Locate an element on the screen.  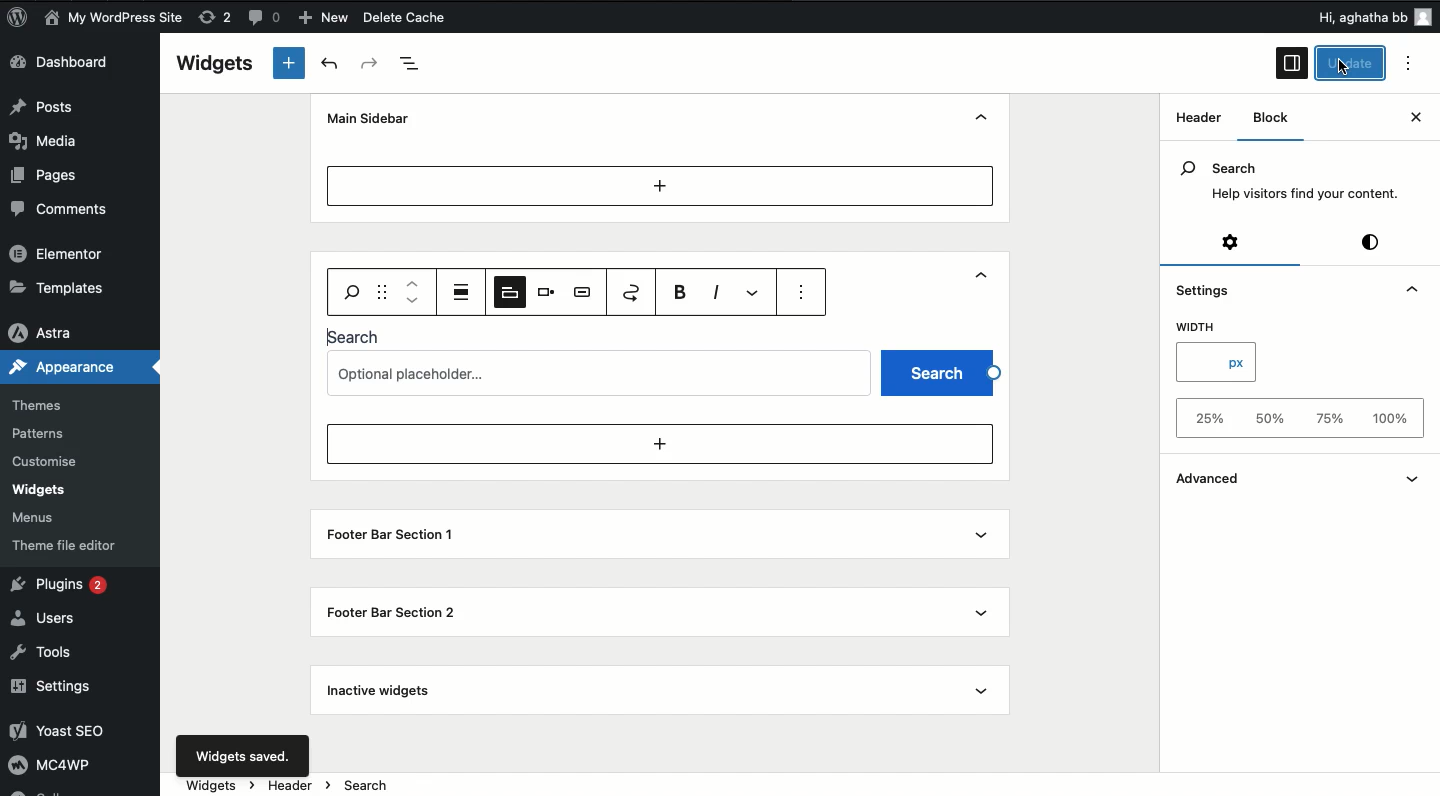
Use button with icon is located at coordinates (584, 292).